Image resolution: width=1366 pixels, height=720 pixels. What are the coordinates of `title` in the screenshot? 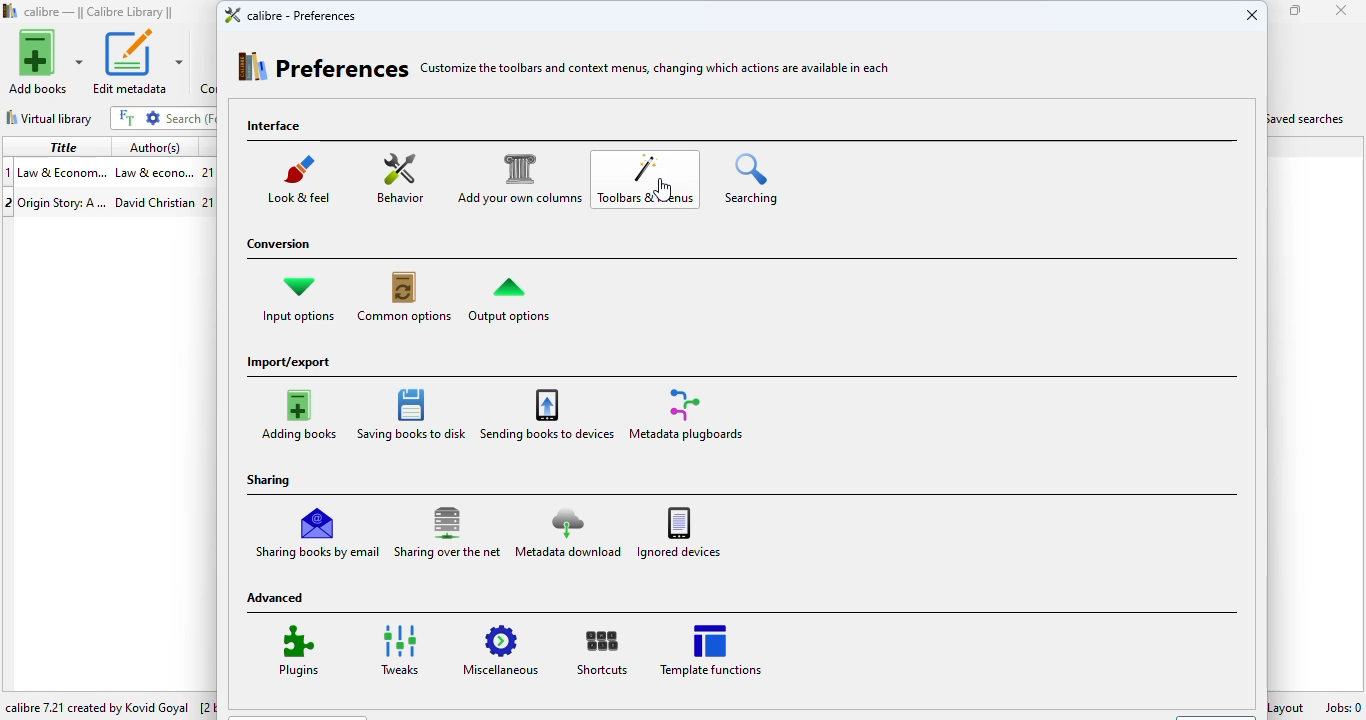 It's located at (63, 146).